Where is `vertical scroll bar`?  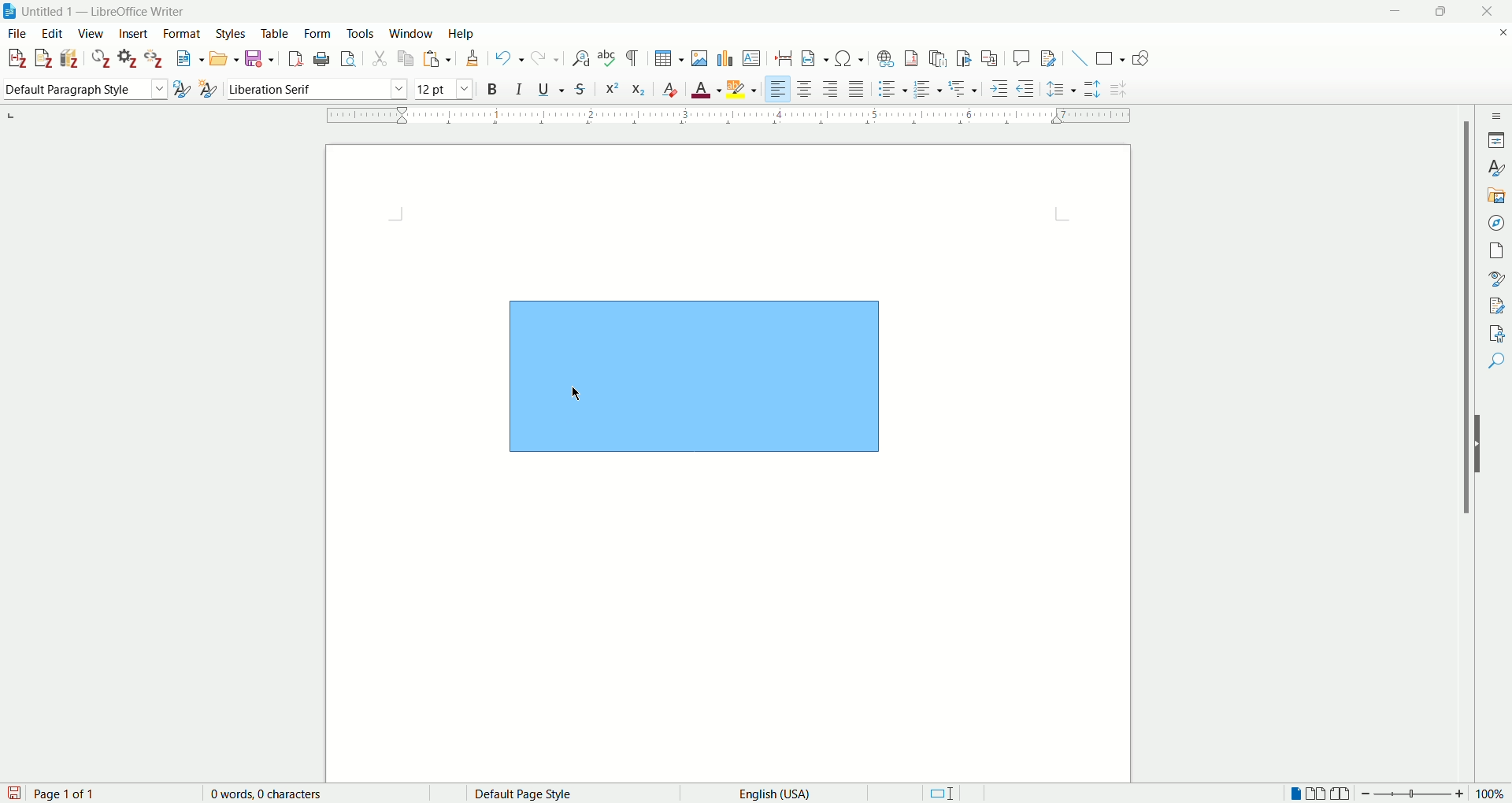 vertical scroll bar is located at coordinates (1462, 449).